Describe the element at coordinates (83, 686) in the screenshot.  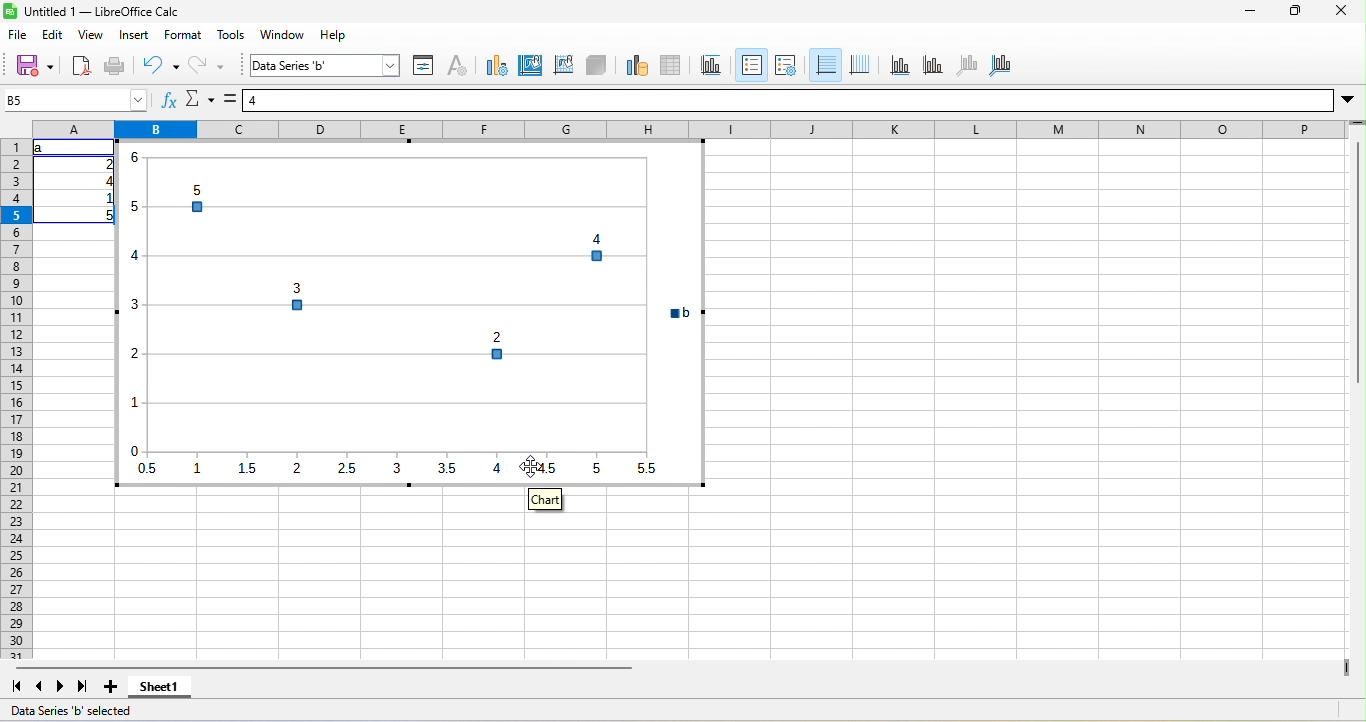
I see `last sheet` at that location.